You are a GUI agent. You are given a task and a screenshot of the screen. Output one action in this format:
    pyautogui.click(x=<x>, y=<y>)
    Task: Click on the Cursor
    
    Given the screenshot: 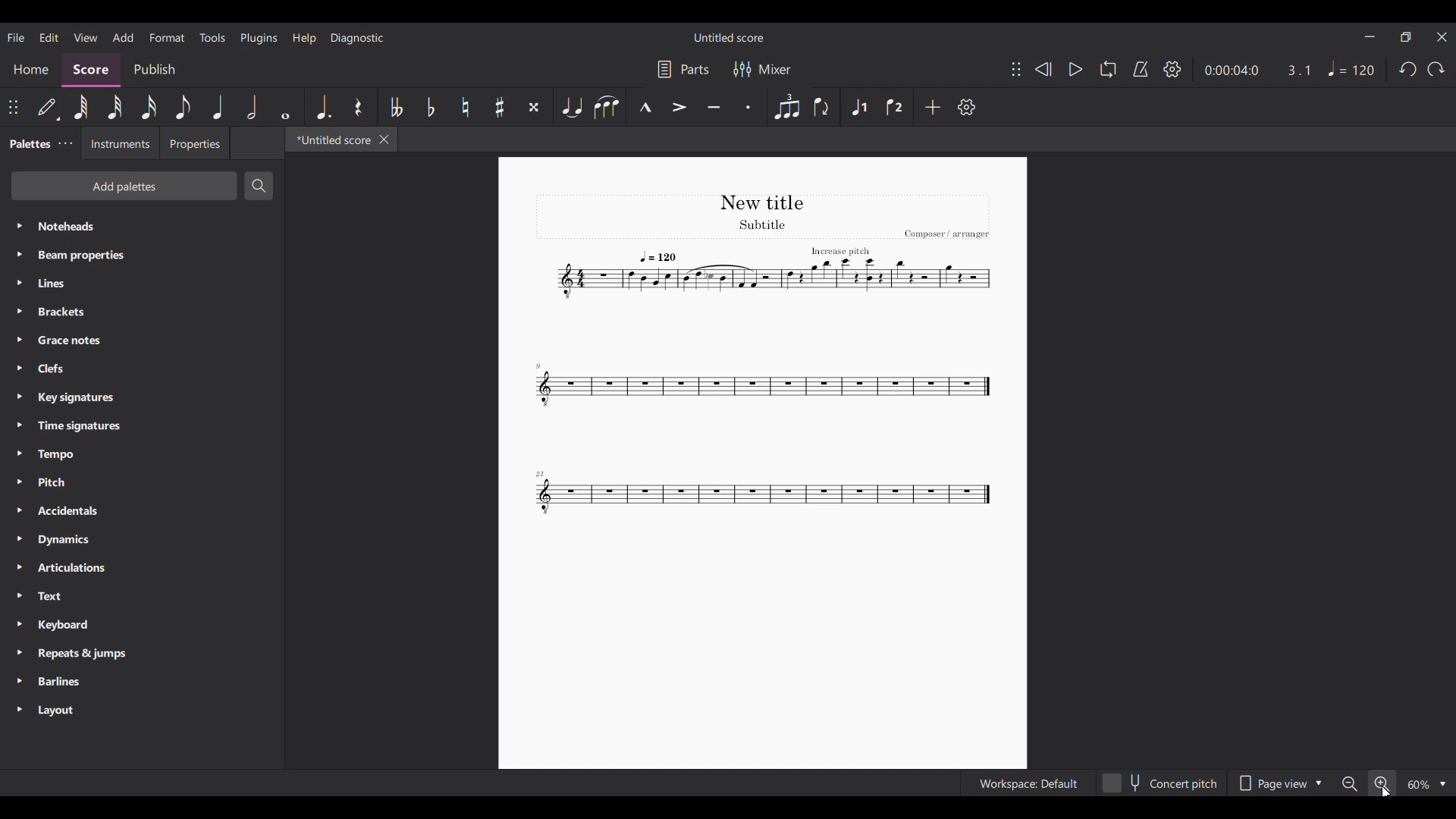 What is the action you would take?
    pyautogui.click(x=1386, y=791)
    